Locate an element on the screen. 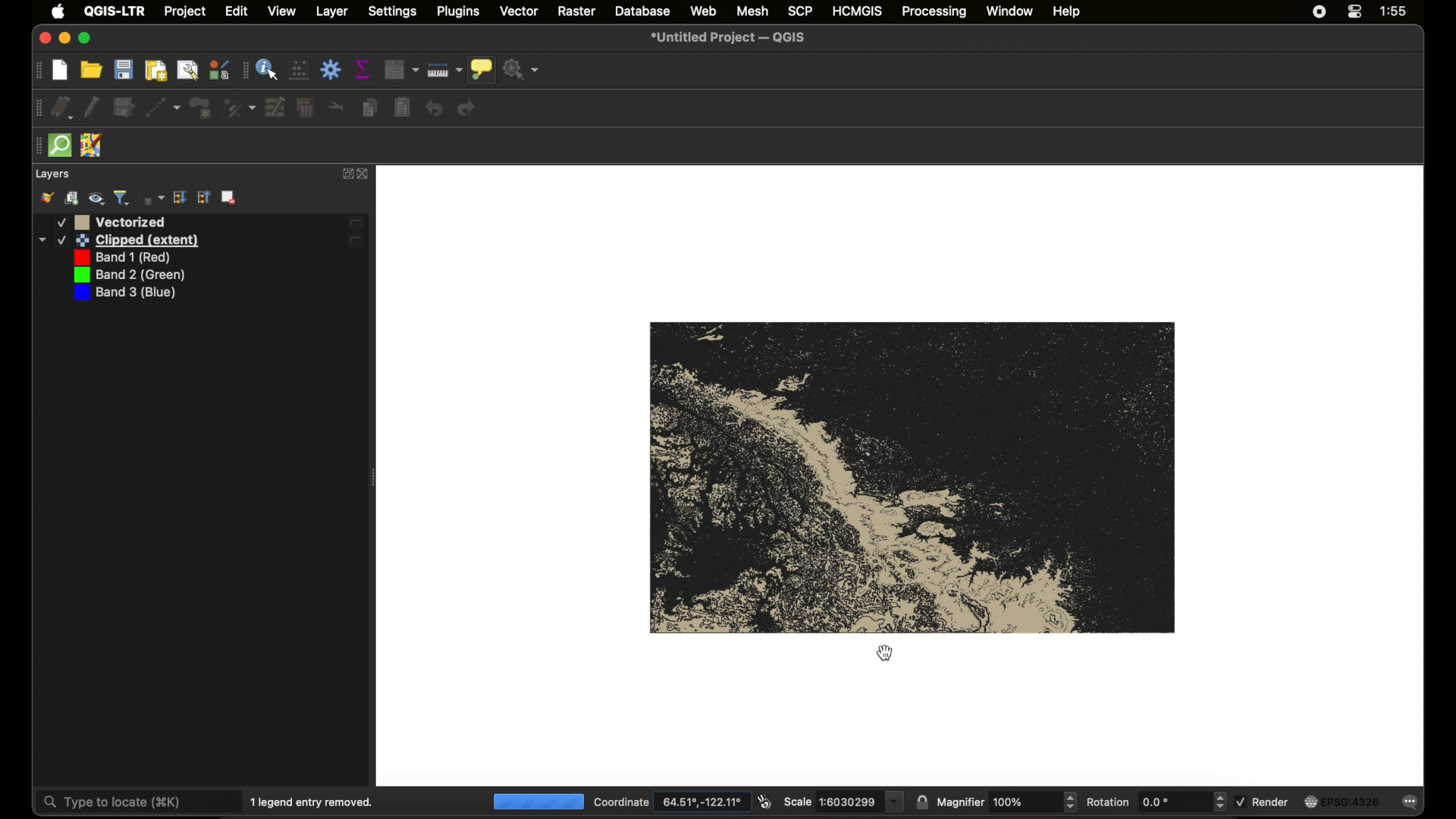 The width and height of the screenshot is (1456, 819). digitize with segment is located at coordinates (164, 108).